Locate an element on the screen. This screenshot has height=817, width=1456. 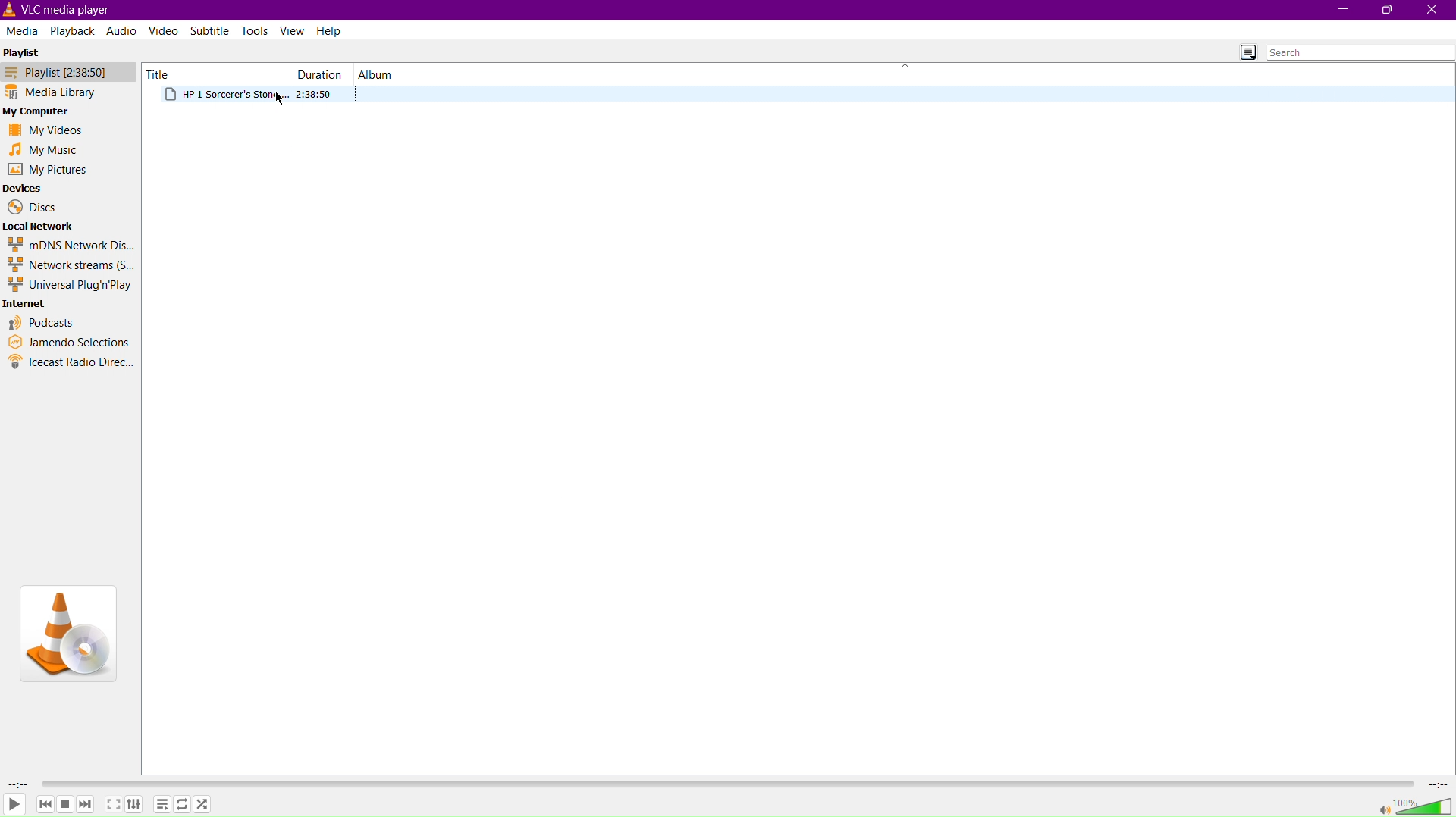
Subtitle is located at coordinates (211, 32).